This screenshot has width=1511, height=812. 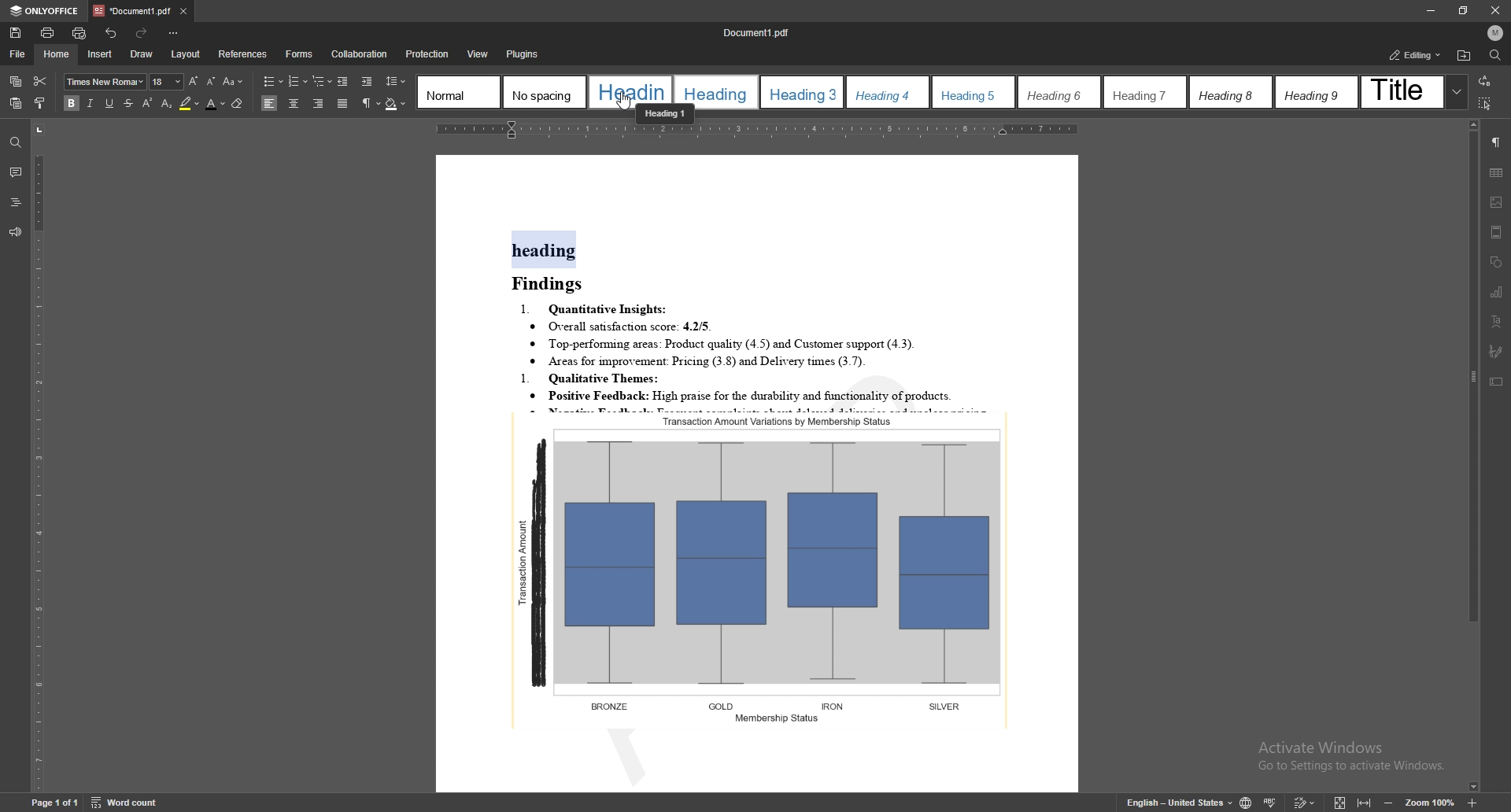 I want to click on highlight color, so click(x=190, y=104).